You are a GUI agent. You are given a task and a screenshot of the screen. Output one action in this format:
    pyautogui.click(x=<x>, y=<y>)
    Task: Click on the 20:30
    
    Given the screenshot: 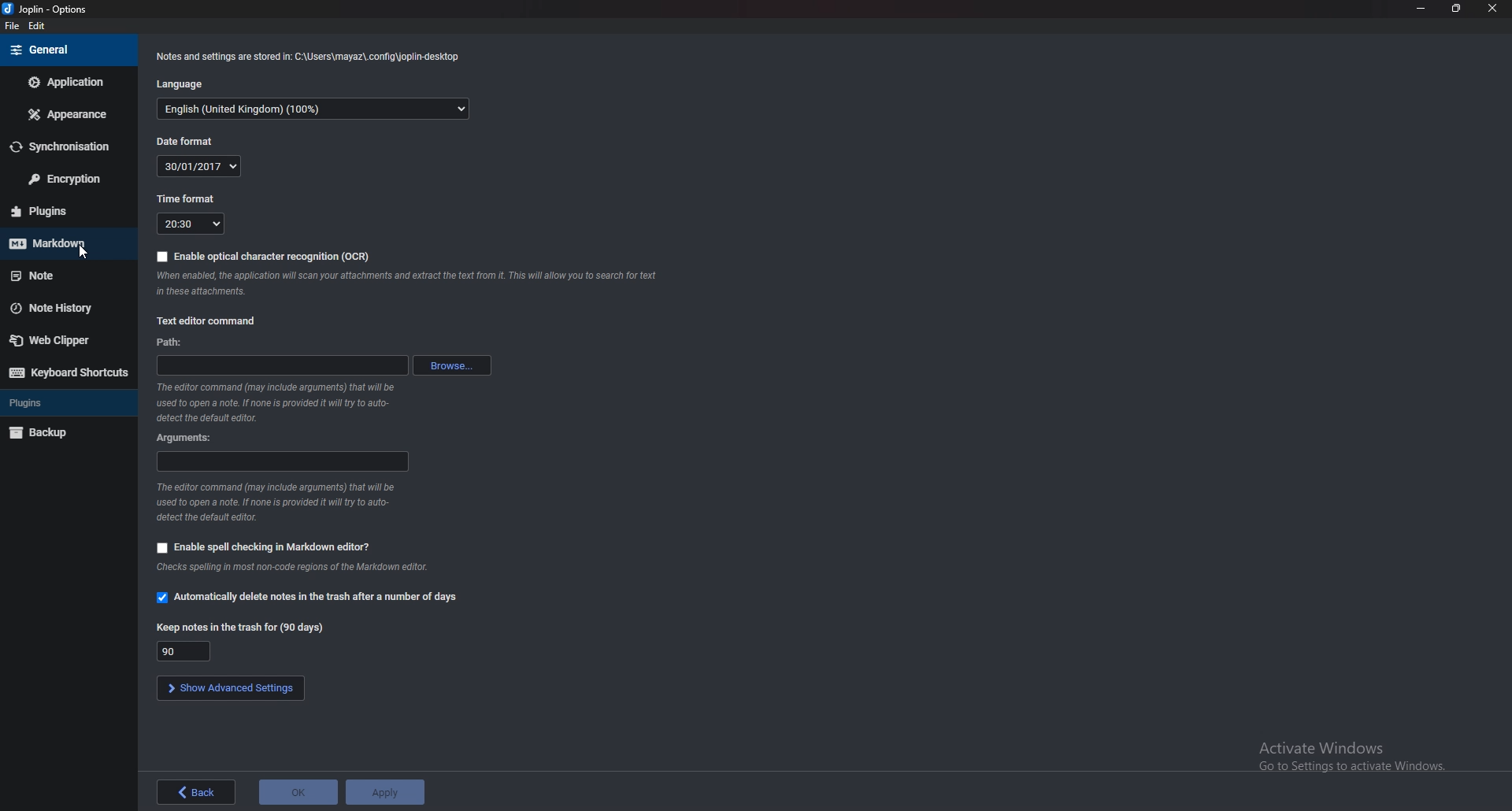 What is the action you would take?
    pyautogui.click(x=193, y=224)
    